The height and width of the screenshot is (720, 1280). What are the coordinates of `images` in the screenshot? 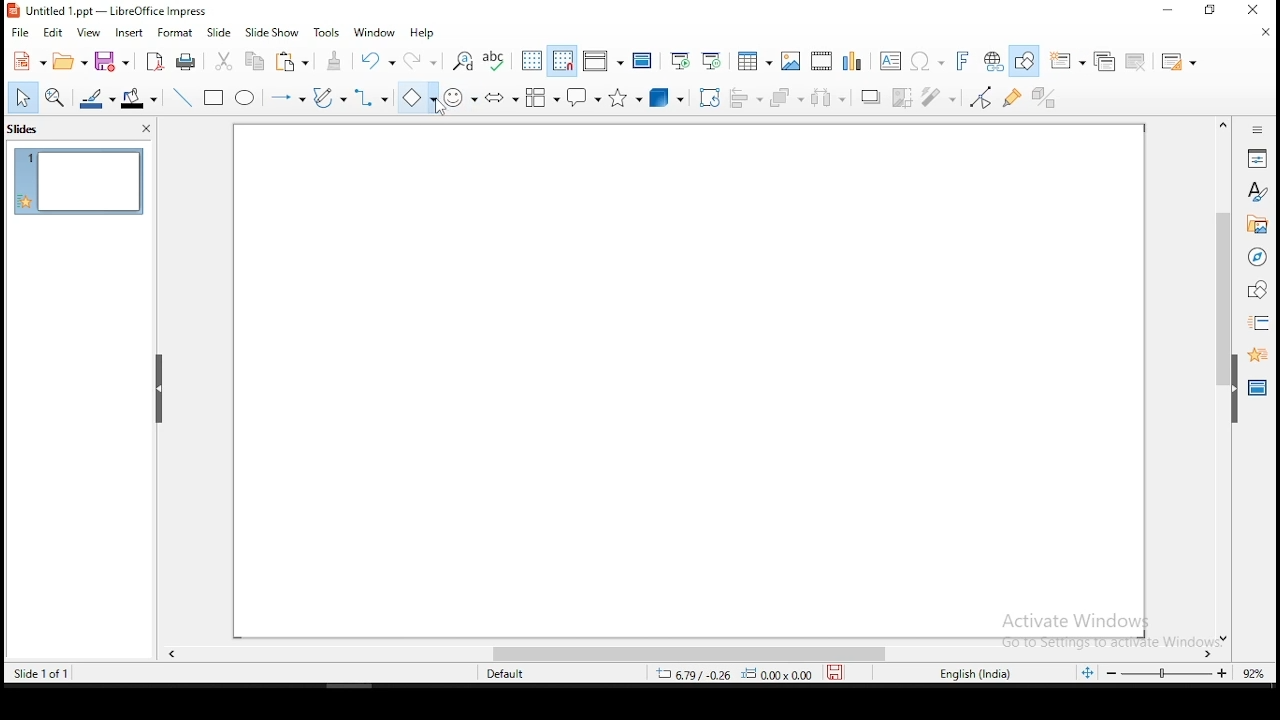 It's located at (790, 59).